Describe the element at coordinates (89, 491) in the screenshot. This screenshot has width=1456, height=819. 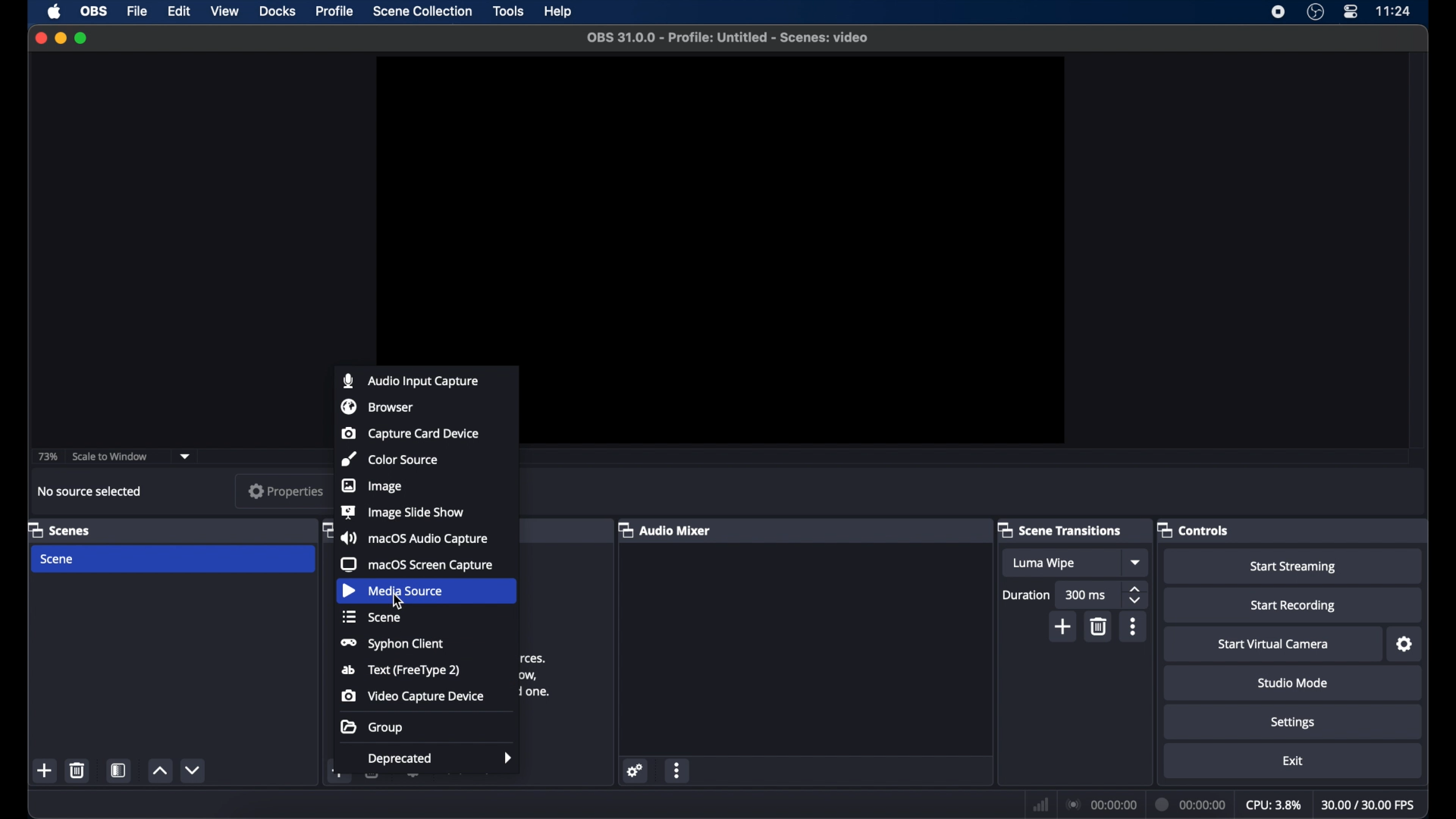
I see `no source selected` at that location.